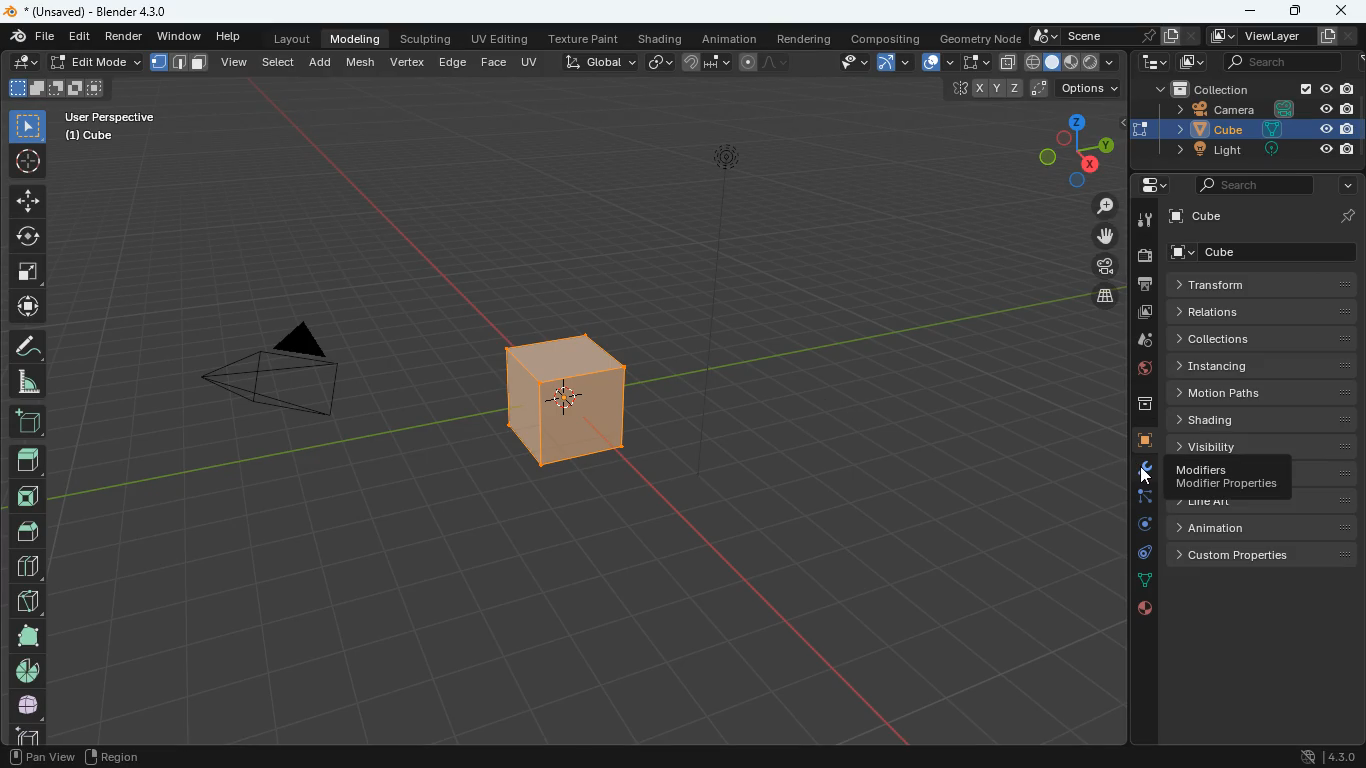 The width and height of the screenshot is (1366, 768). What do you see at coordinates (1252, 366) in the screenshot?
I see `instancing` at bounding box center [1252, 366].